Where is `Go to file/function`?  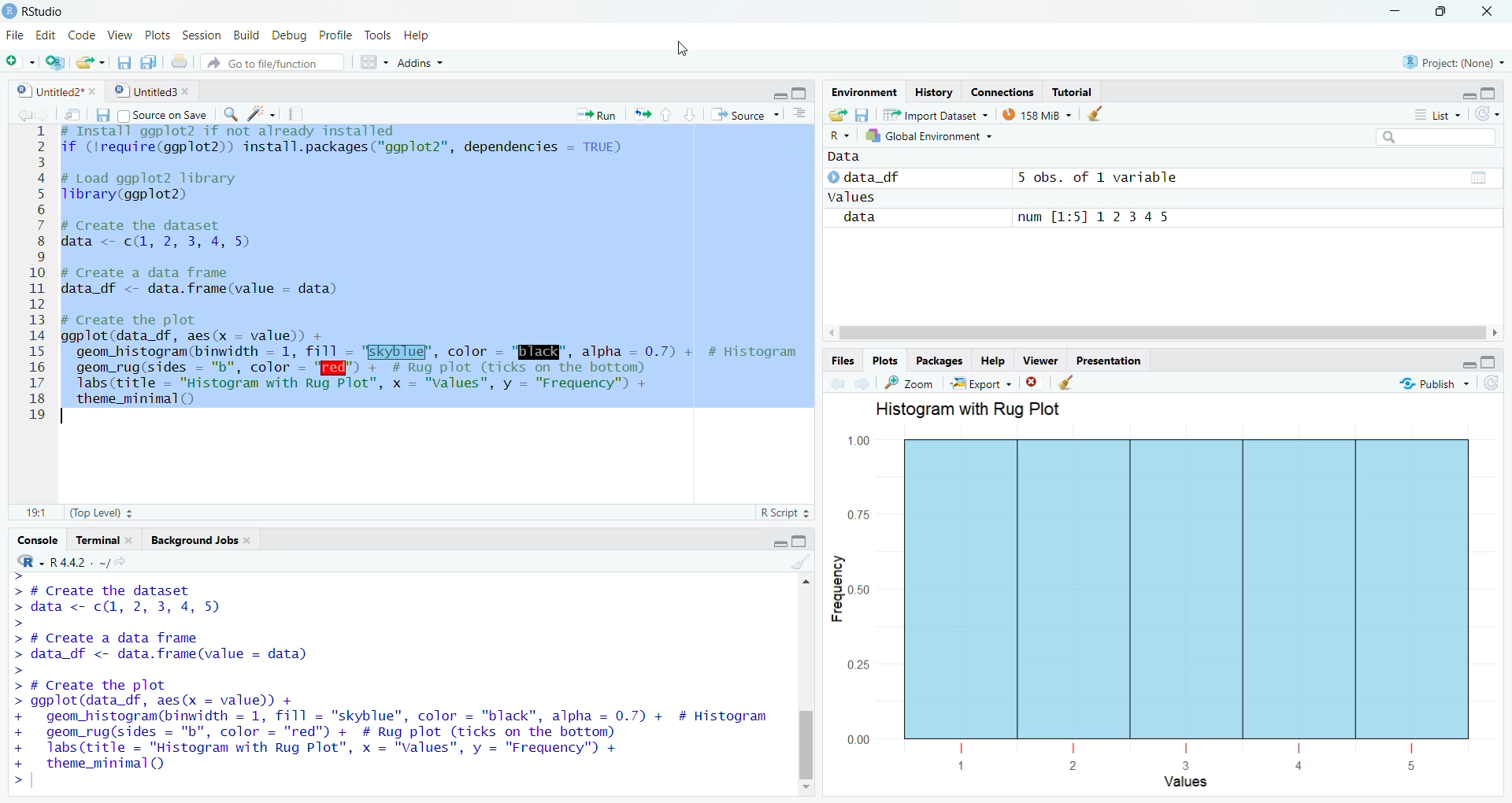 Go to file/function is located at coordinates (268, 61).